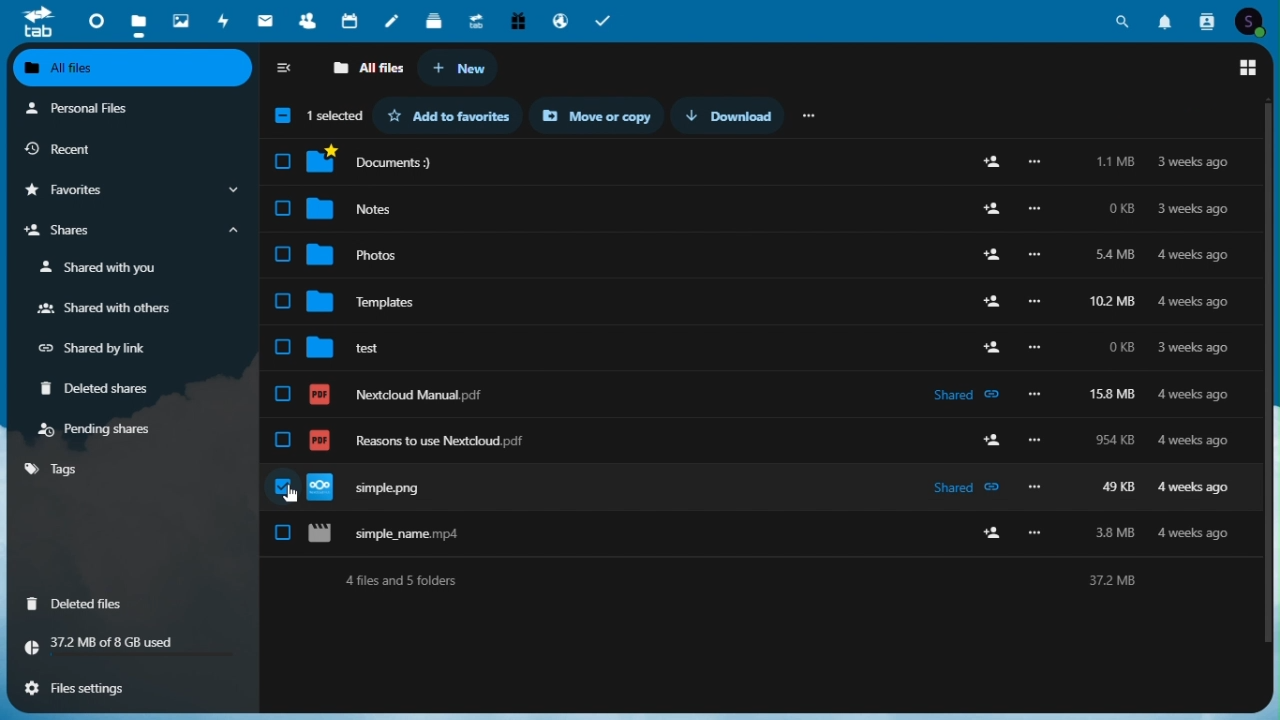 This screenshot has height=720, width=1280. I want to click on deck, so click(436, 18).